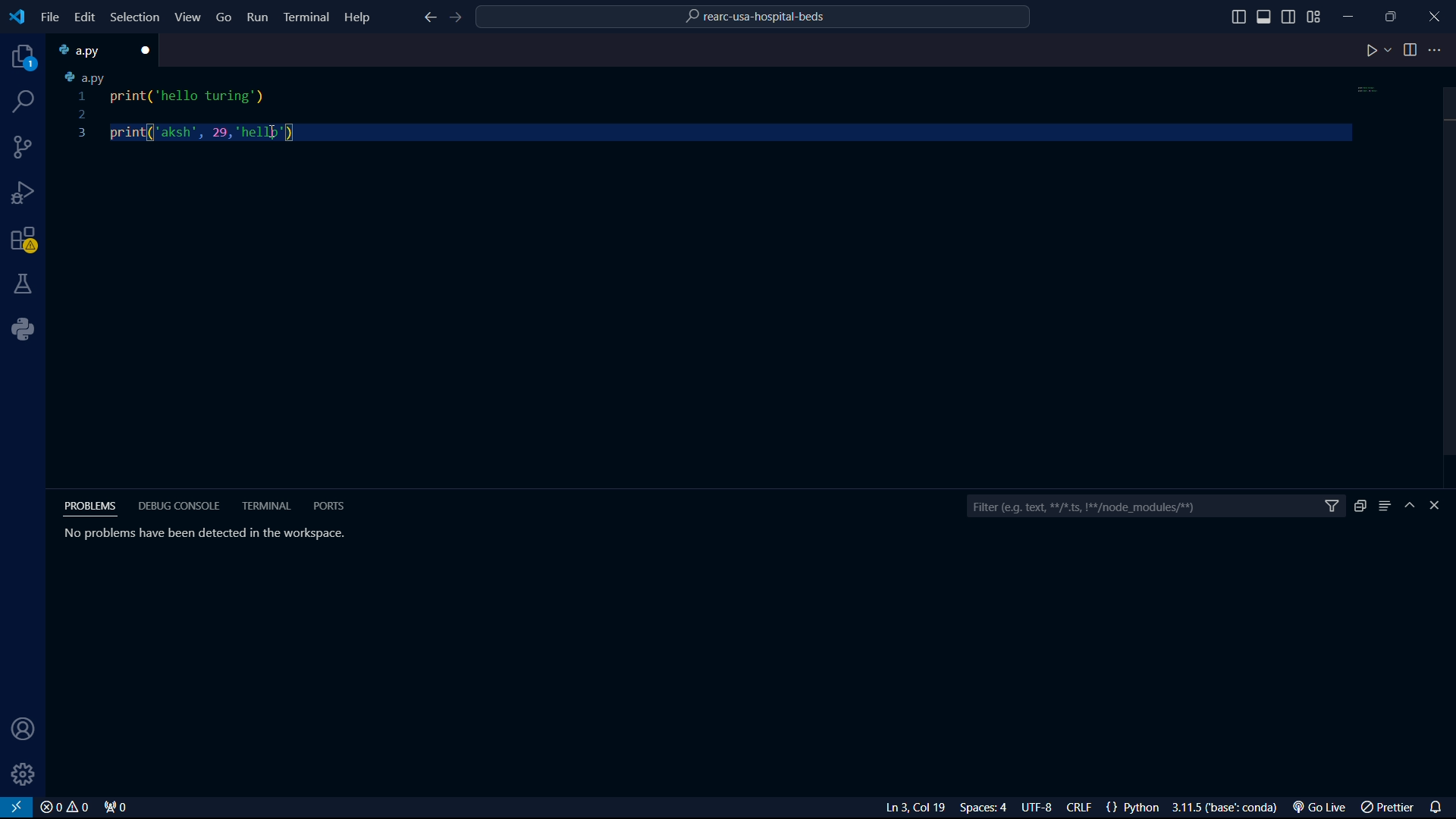  I want to click on 3.1.5, so click(1229, 808).